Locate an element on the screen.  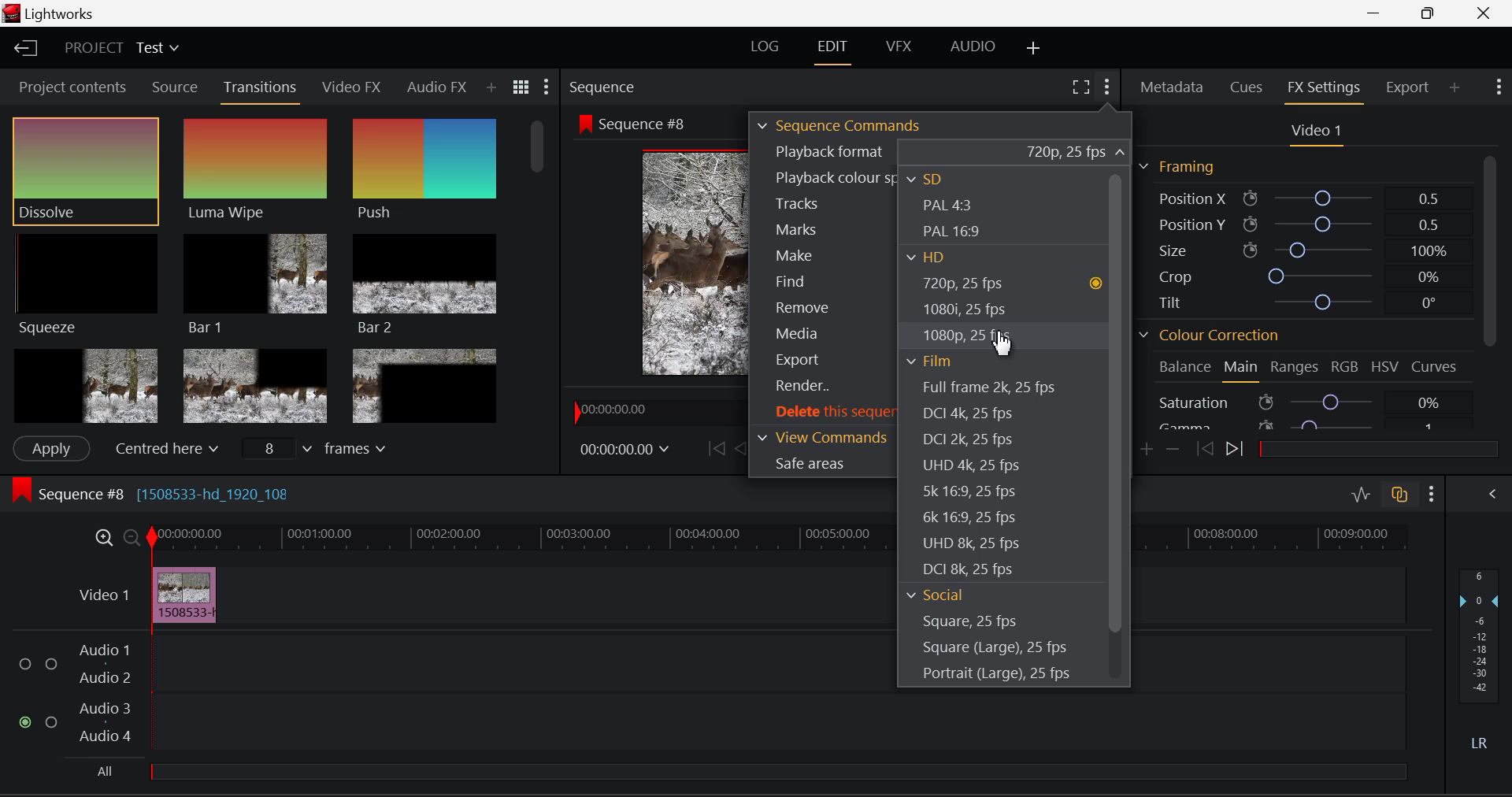
Toggle Audio Levels Editing is located at coordinates (1361, 494).